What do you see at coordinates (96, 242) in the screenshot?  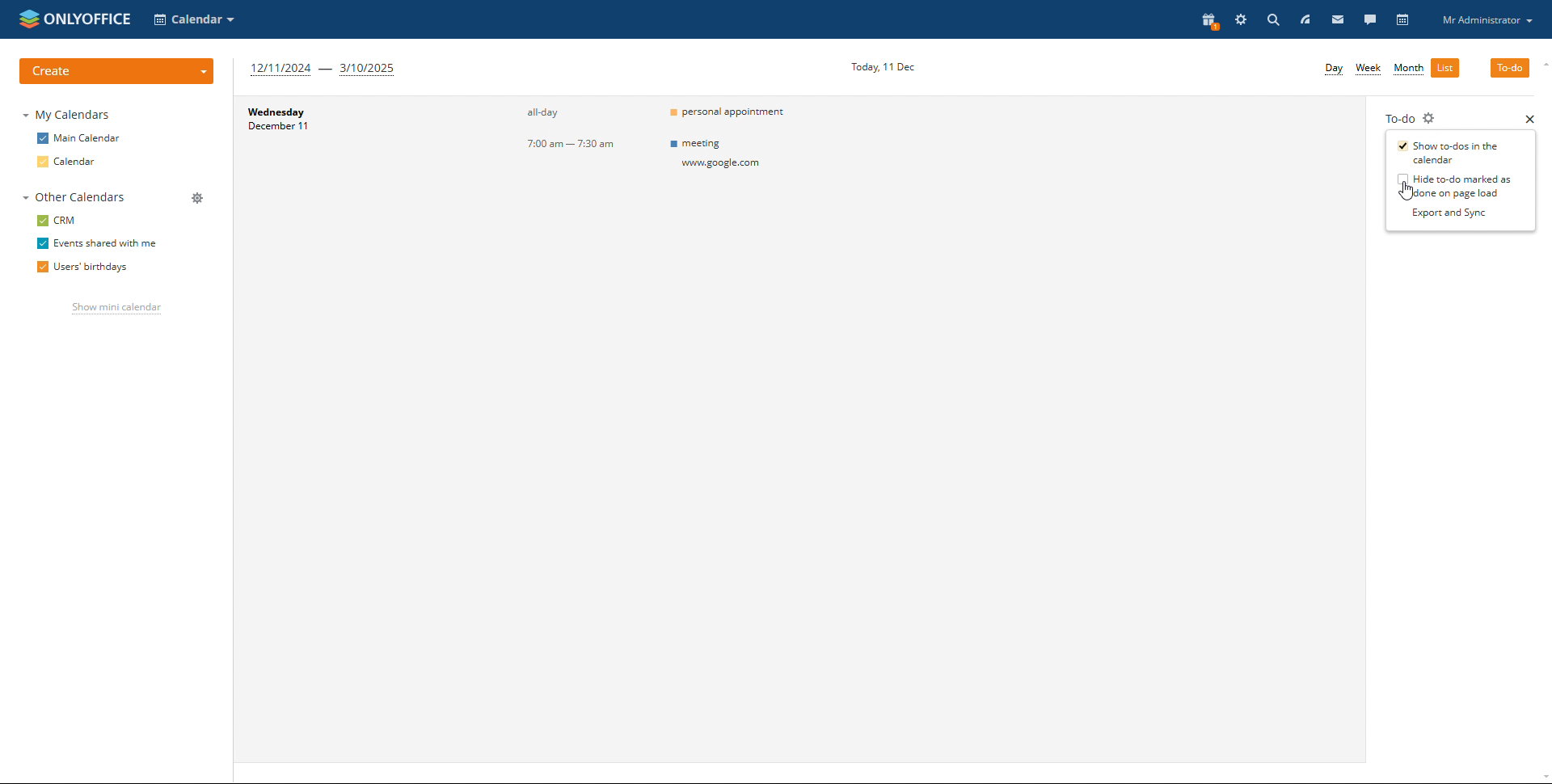 I see `events shared with me` at bounding box center [96, 242].